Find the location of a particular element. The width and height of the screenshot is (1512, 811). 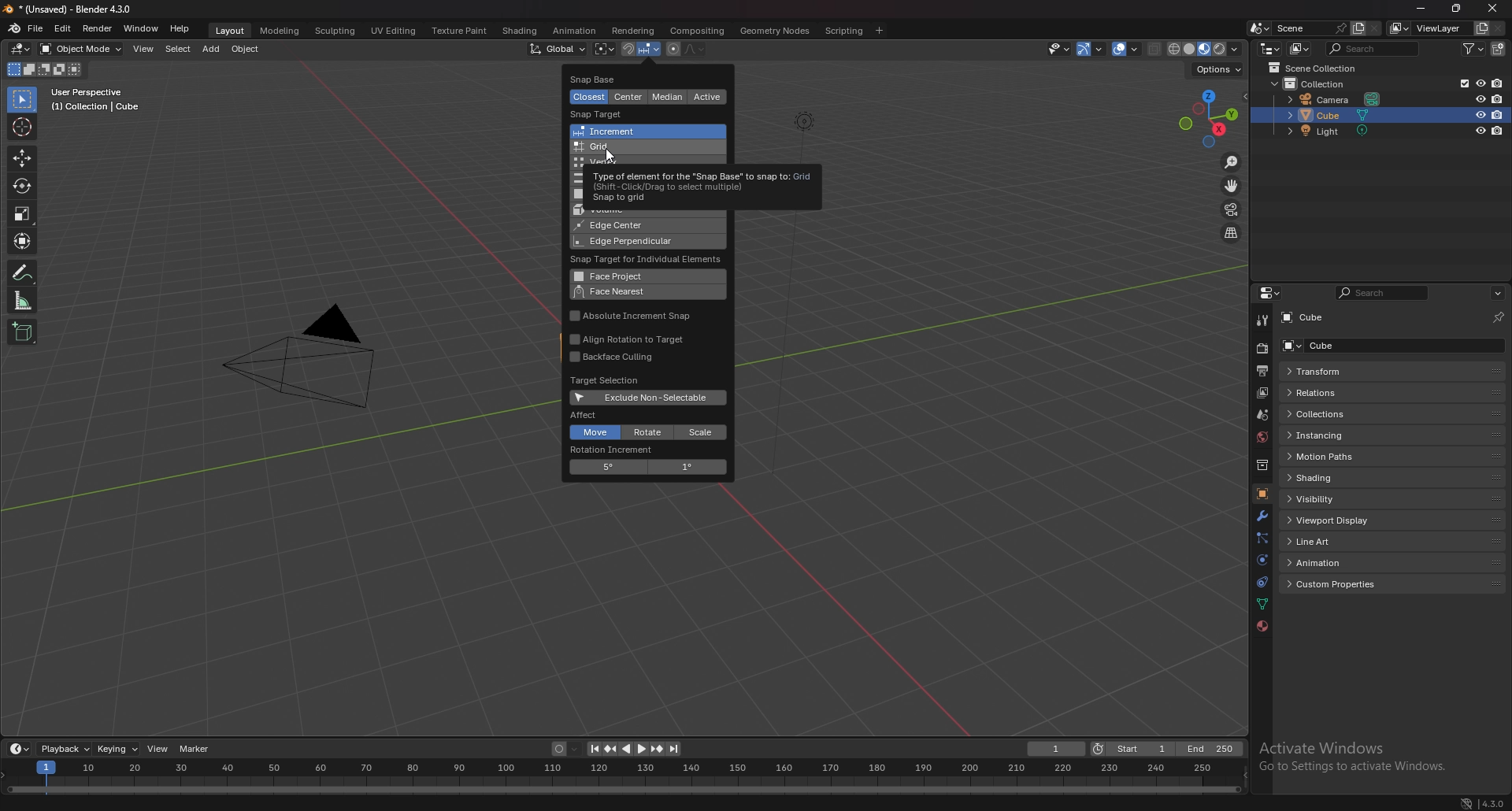

camera is located at coordinates (1336, 100).